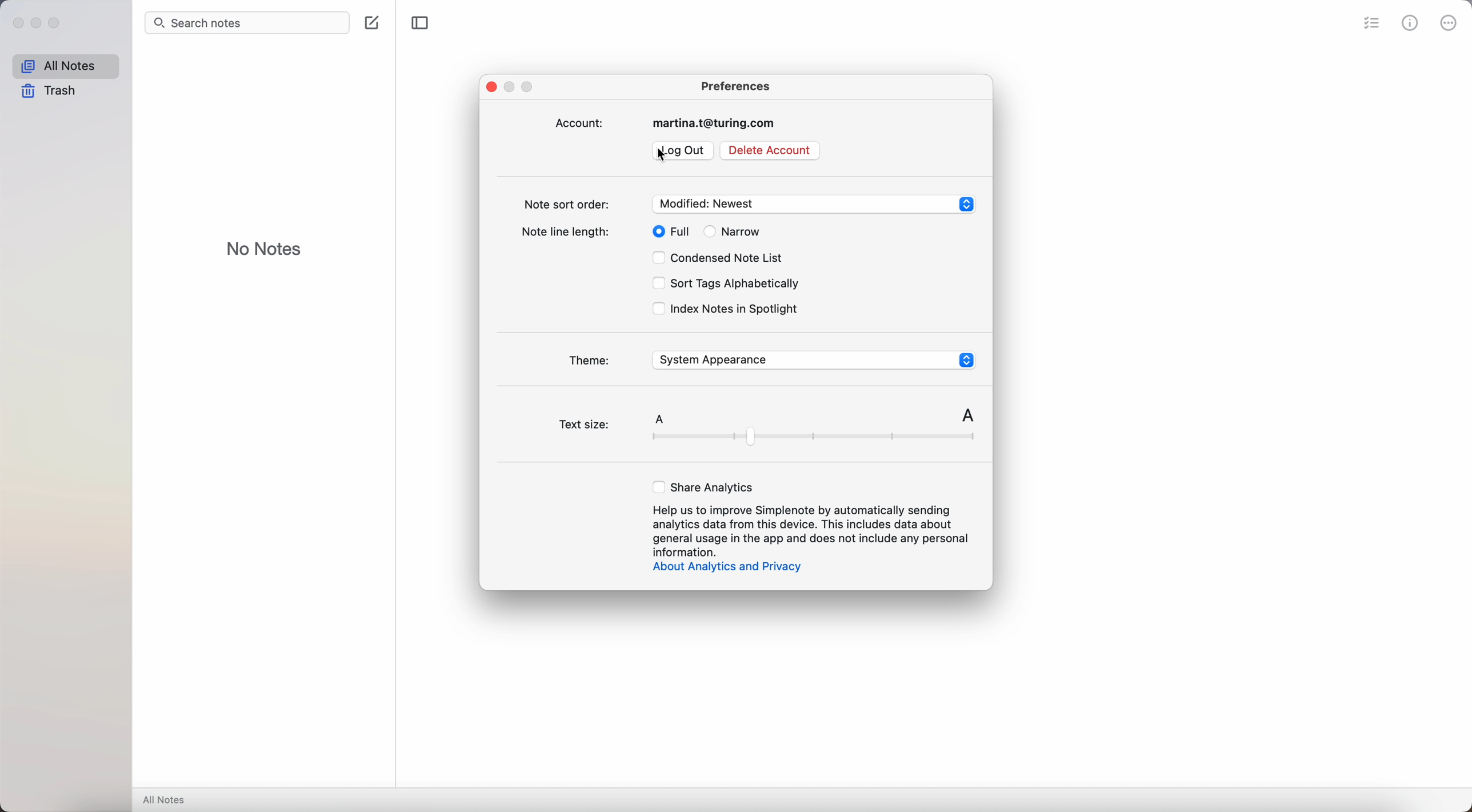  I want to click on all notes, so click(65, 66).